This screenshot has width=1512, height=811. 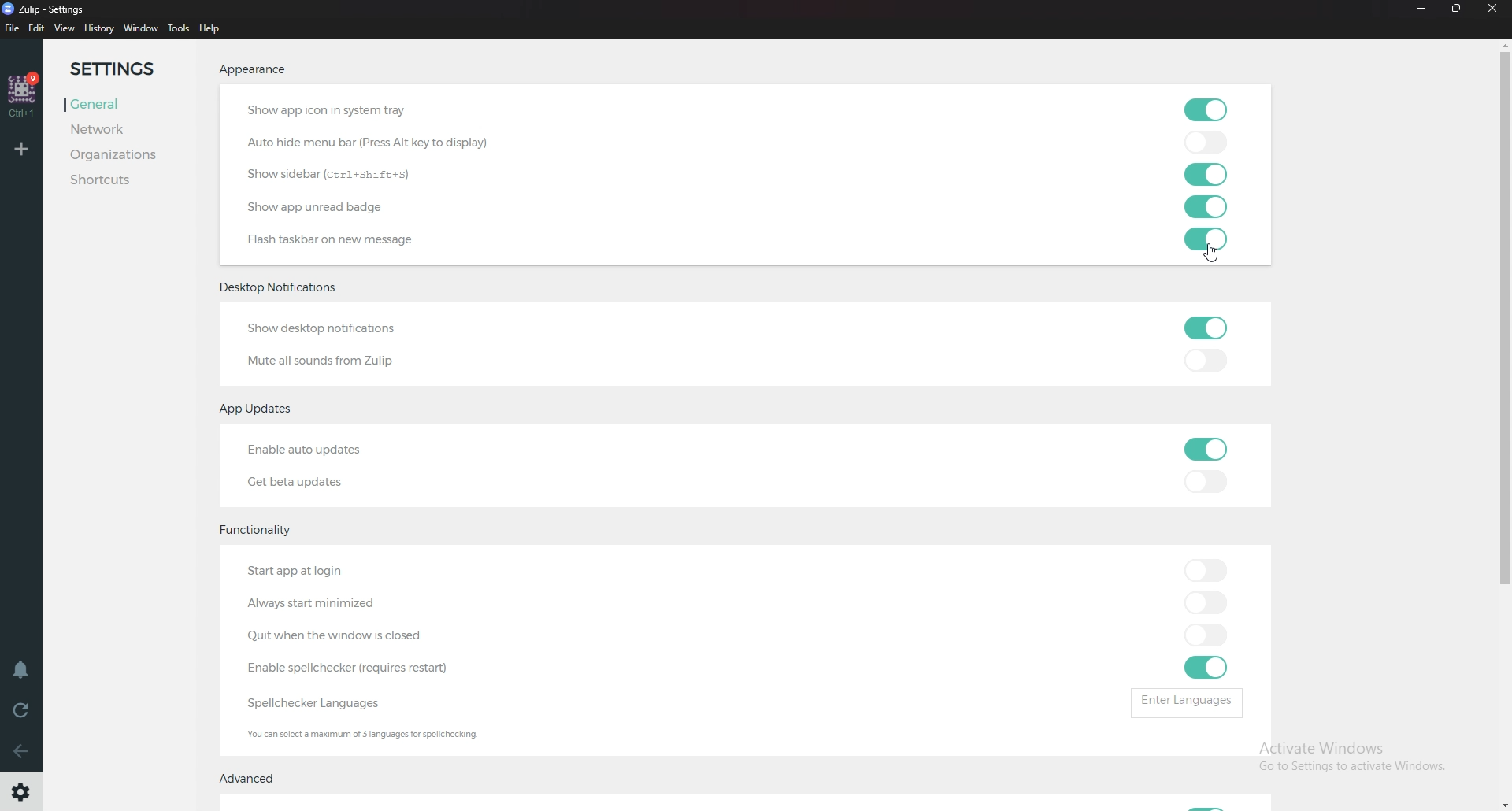 I want to click on Desktop notifications, so click(x=283, y=288).